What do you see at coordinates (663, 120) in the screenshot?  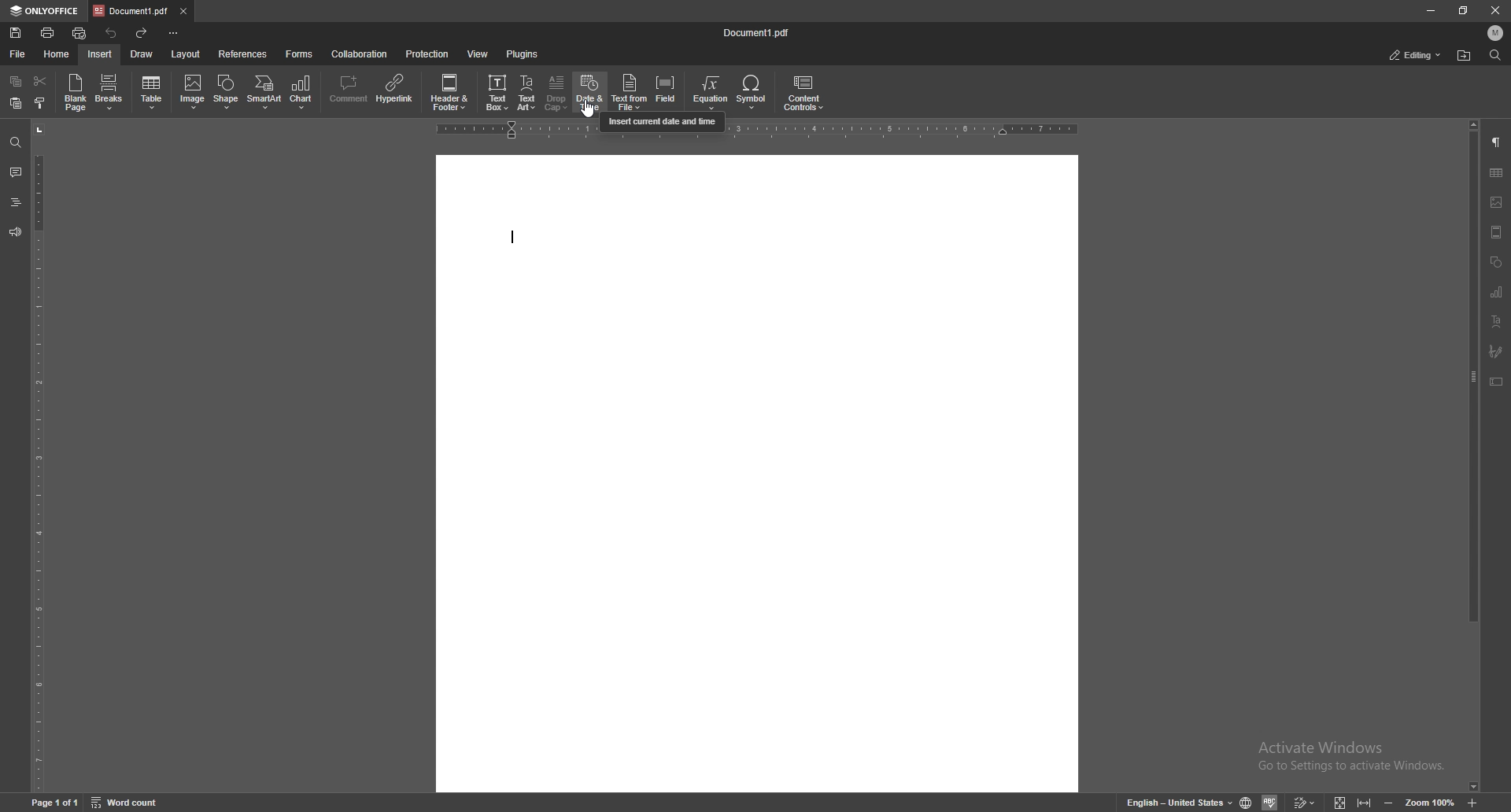 I see `cursor description` at bounding box center [663, 120].